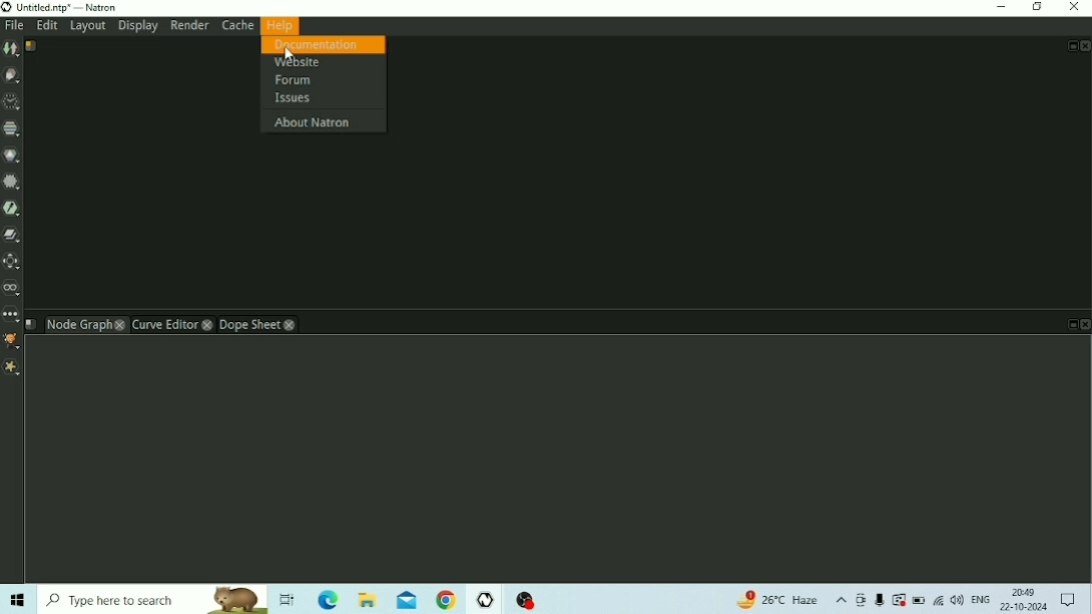 Image resolution: width=1092 pixels, height=614 pixels. Describe the element at coordinates (290, 53) in the screenshot. I see `cursor` at that location.